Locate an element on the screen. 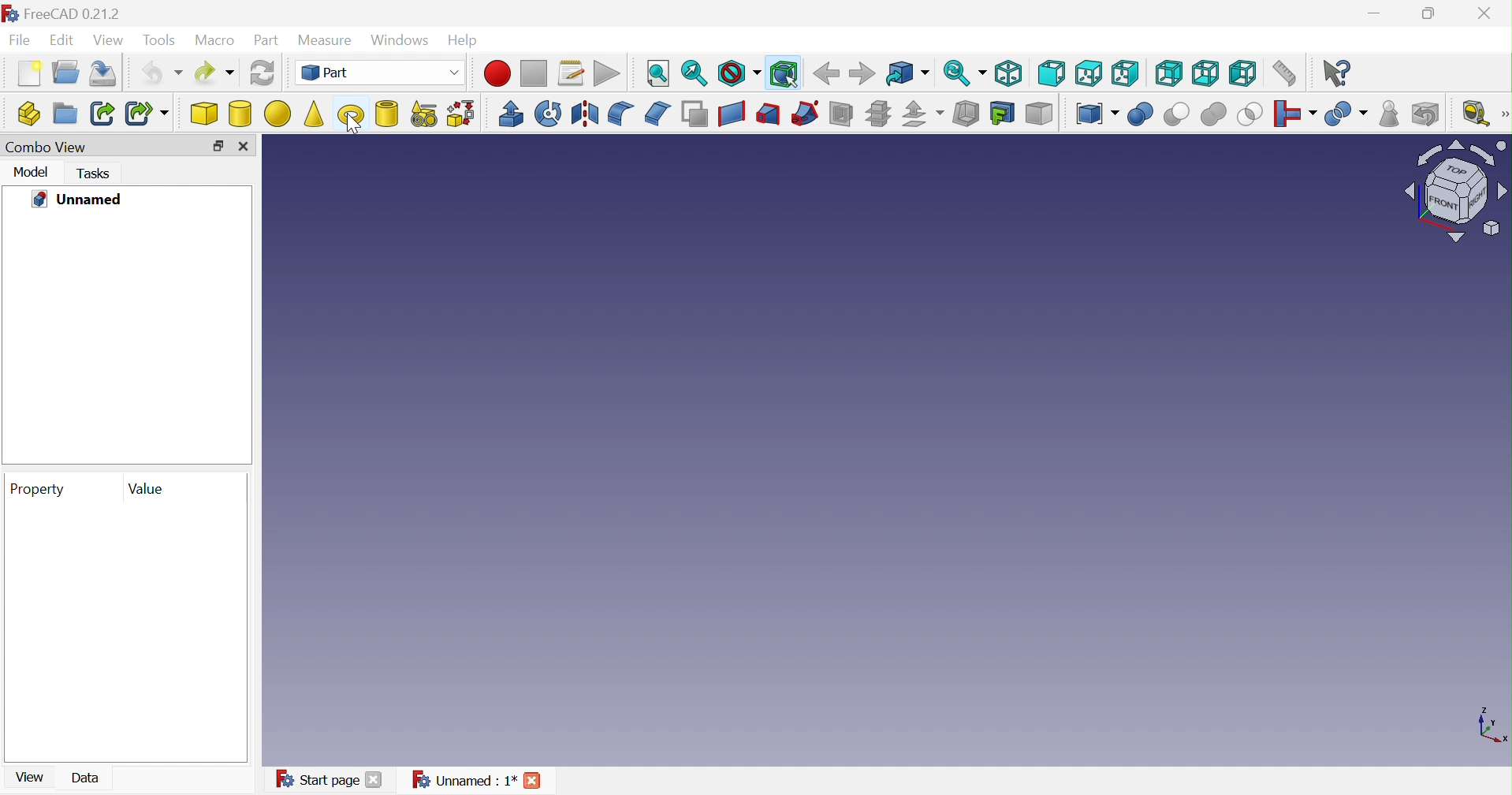 The width and height of the screenshot is (1512, 795). Unnamed : 1* is located at coordinates (482, 779).